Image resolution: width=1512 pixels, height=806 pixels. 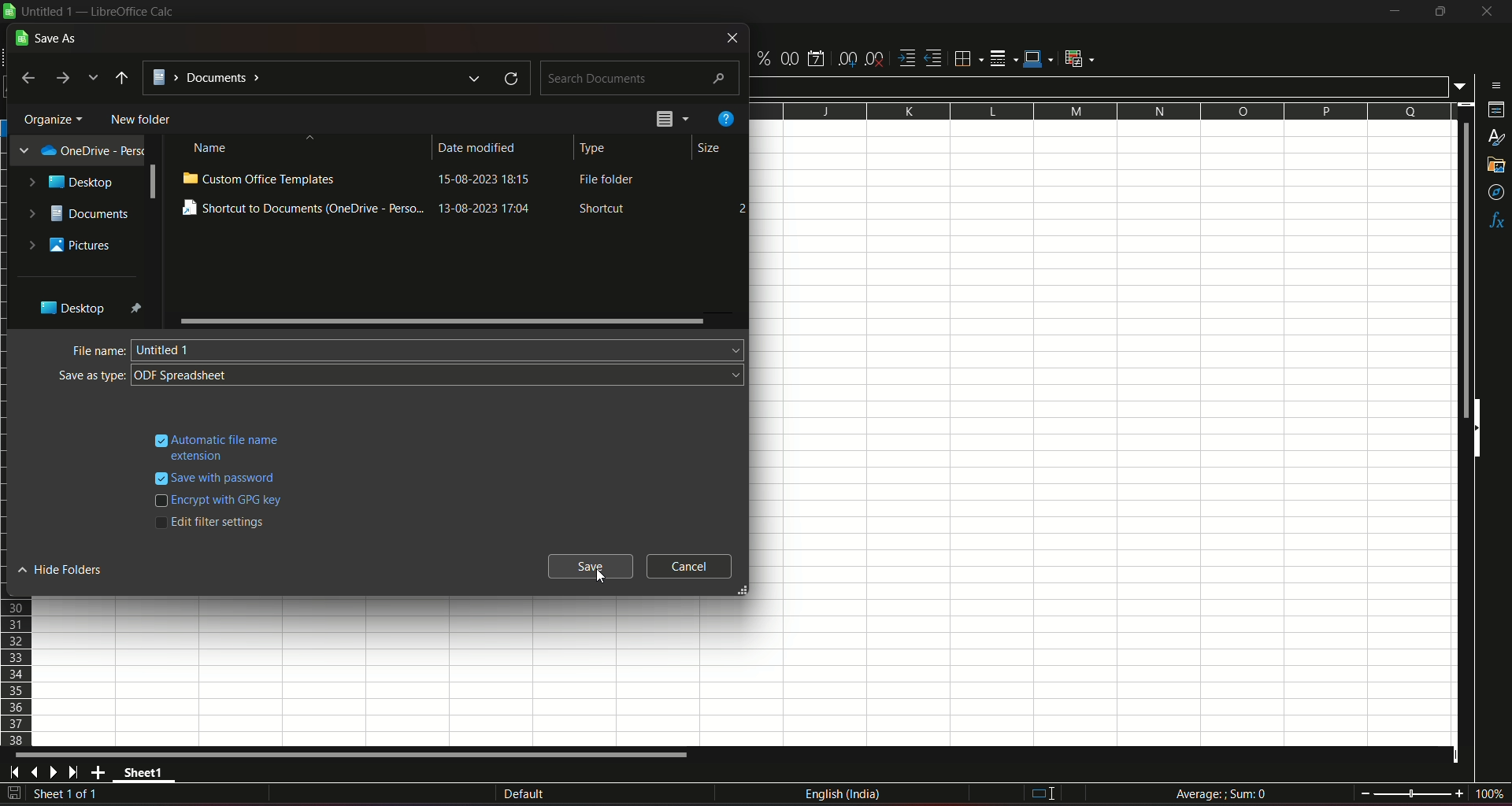 What do you see at coordinates (1462, 87) in the screenshot?
I see `expand formula` at bounding box center [1462, 87].